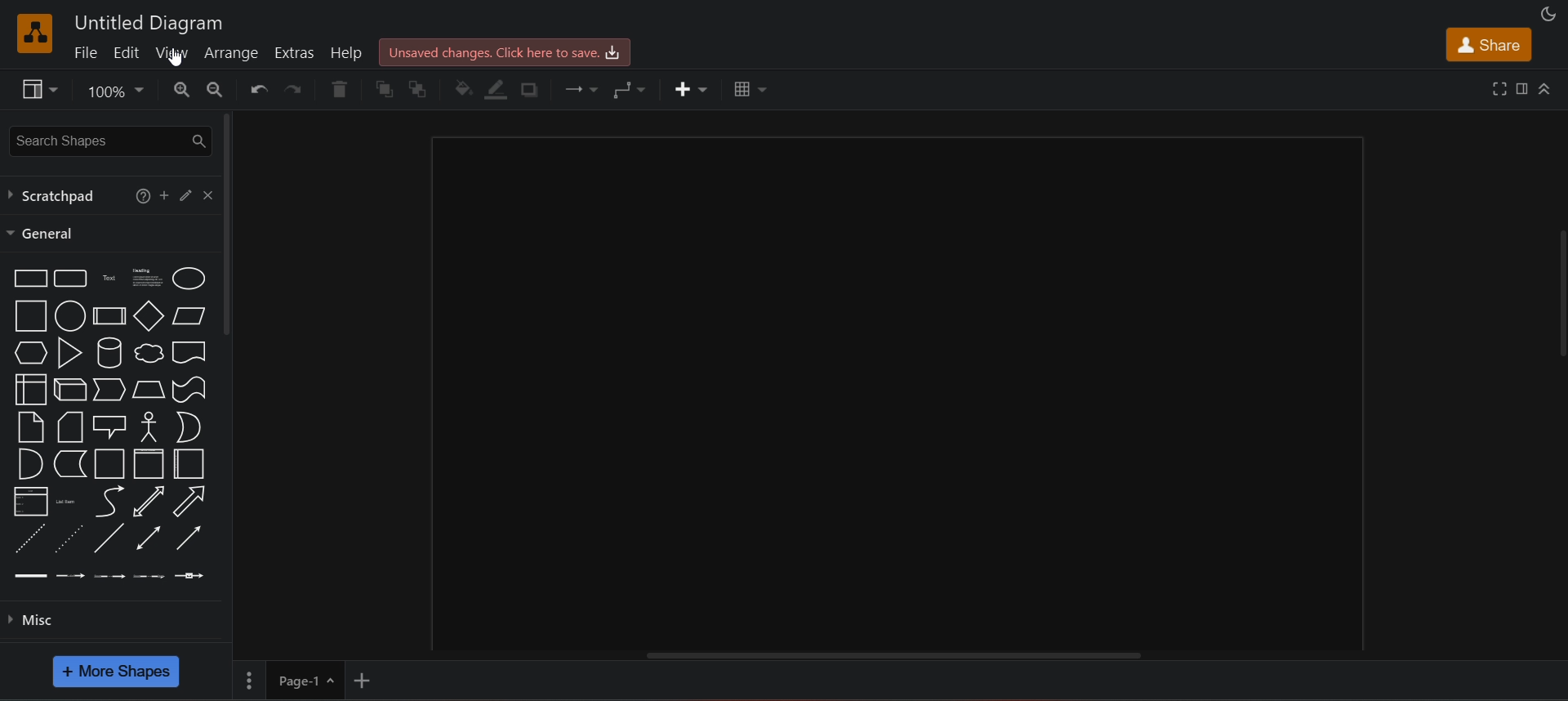 This screenshot has height=701, width=1568. I want to click on cloud, so click(147, 353).